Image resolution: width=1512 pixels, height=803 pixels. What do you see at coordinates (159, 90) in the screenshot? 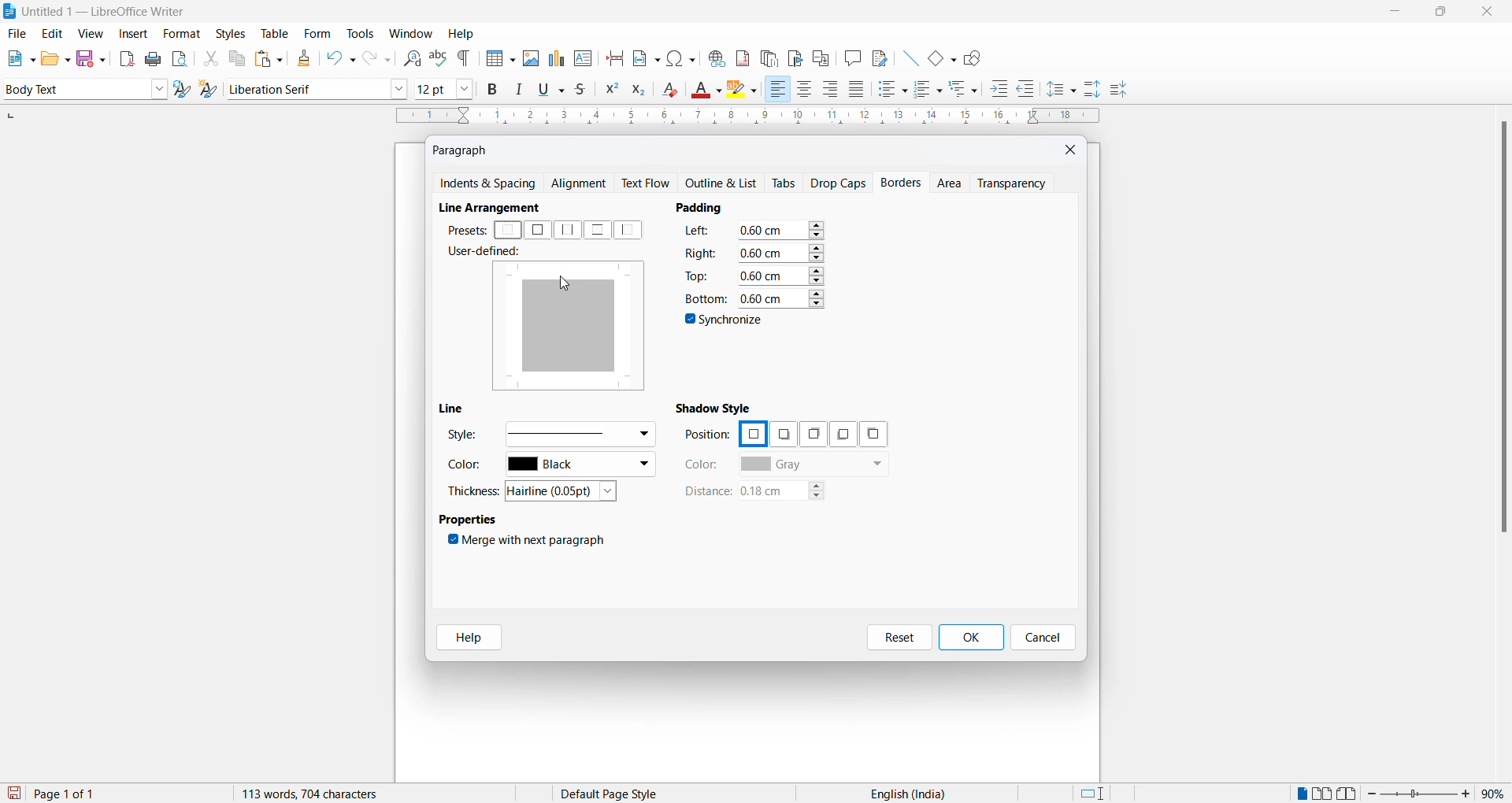
I see `styling dropdown button` at bounding box center [159, 90].